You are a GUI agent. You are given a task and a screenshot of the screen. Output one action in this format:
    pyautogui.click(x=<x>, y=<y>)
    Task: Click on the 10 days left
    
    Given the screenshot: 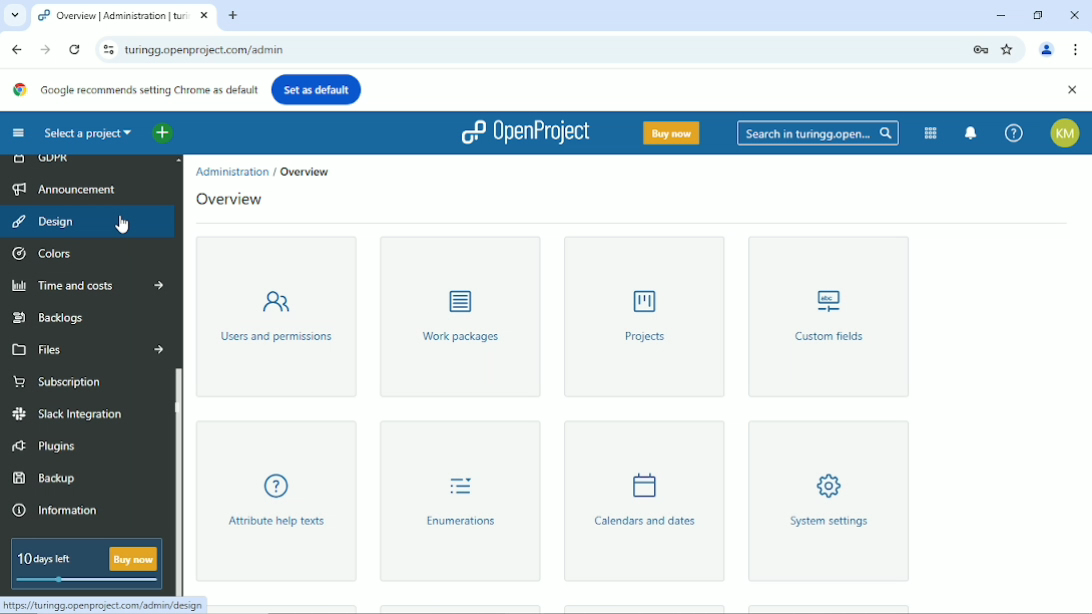 What is the action you would take?
    pyautogui.click(x=46, y=558)
    